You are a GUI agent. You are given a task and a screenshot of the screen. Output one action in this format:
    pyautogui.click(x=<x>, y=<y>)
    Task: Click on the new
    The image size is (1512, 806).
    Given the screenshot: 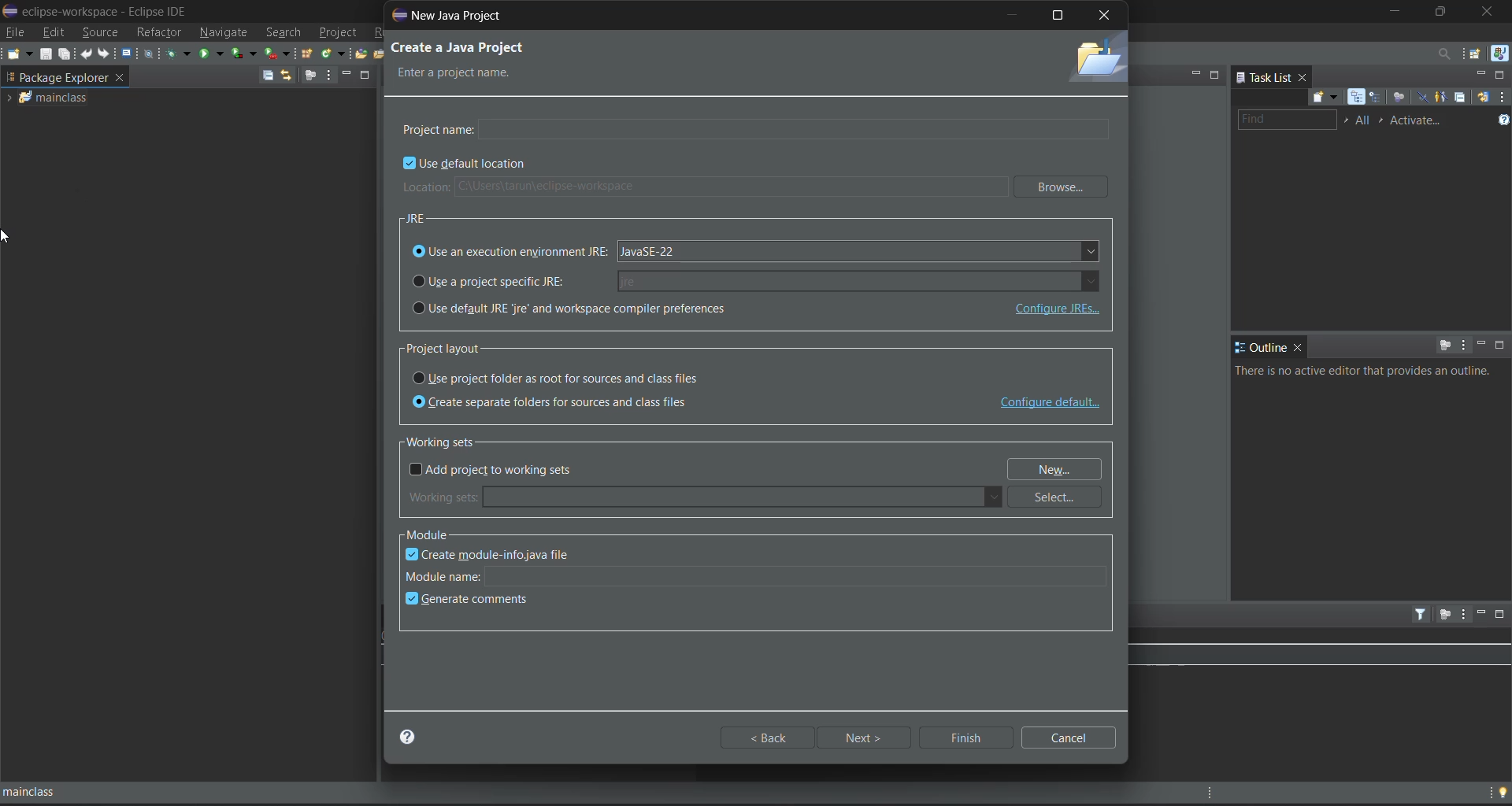 What is the action you would take?
    pyautogui.click(x=20, y=54)
    